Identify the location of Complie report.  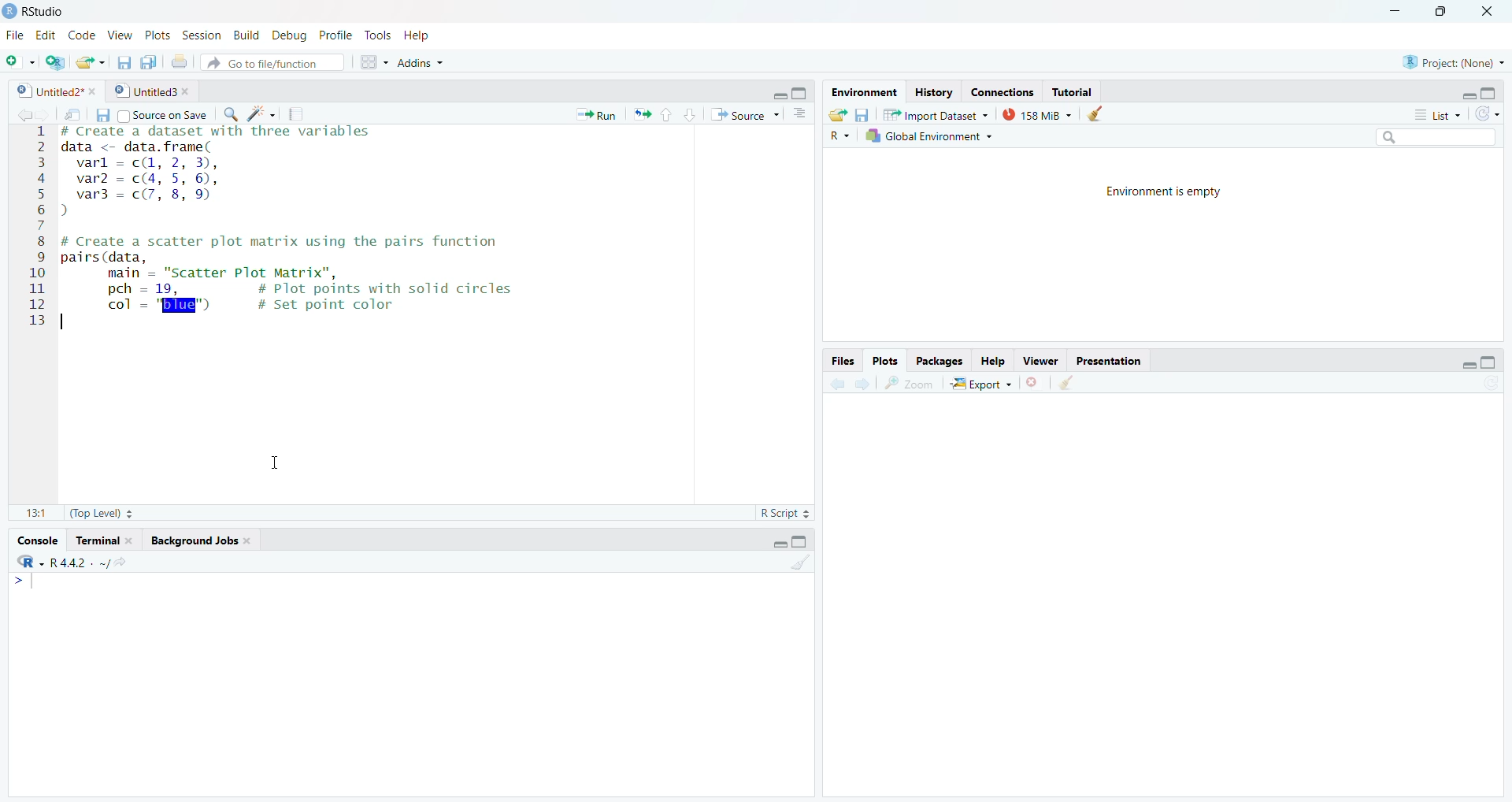
(300, 114).